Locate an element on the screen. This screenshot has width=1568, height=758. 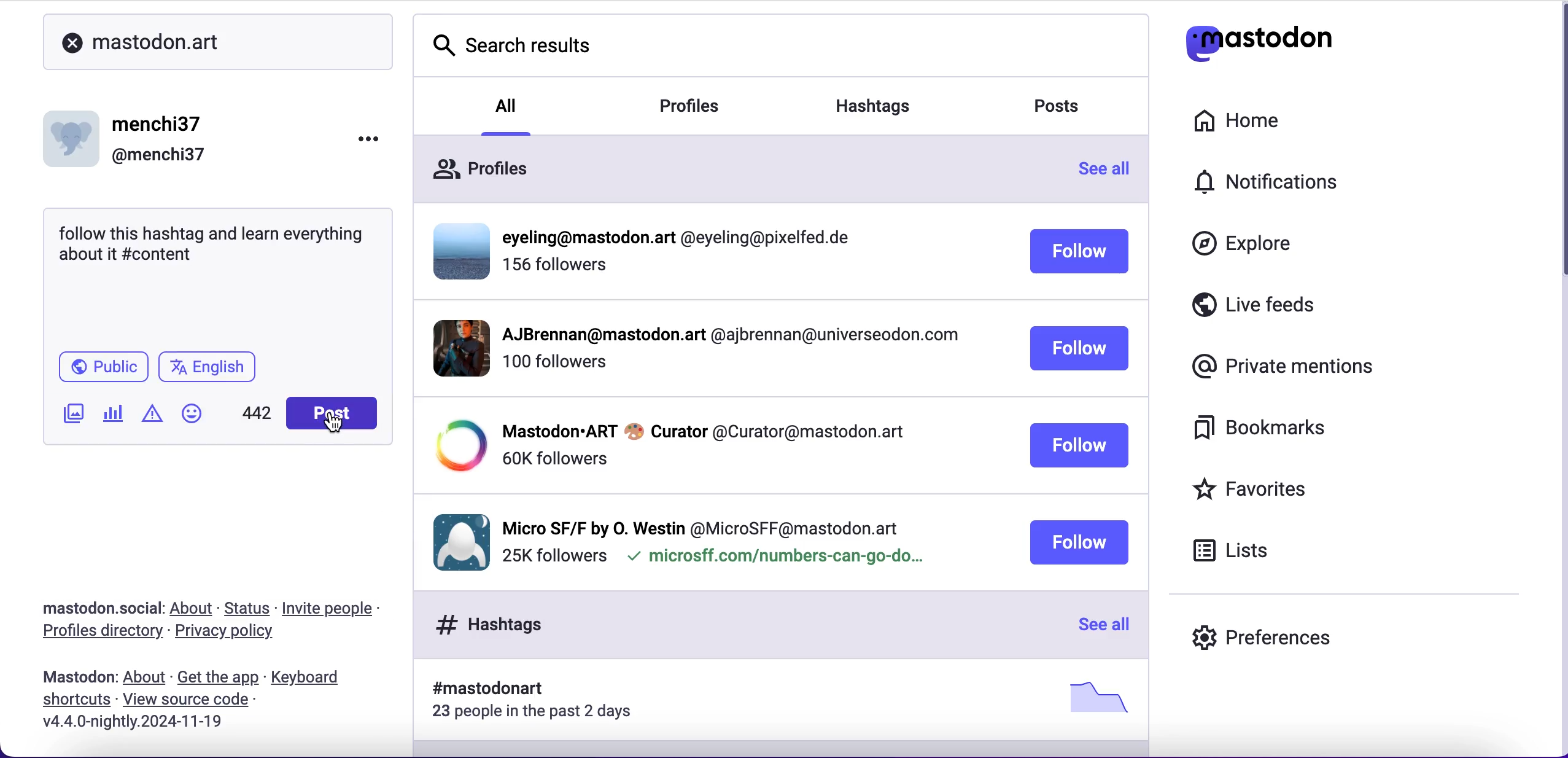
view source code is located at coordinates (197, 700).